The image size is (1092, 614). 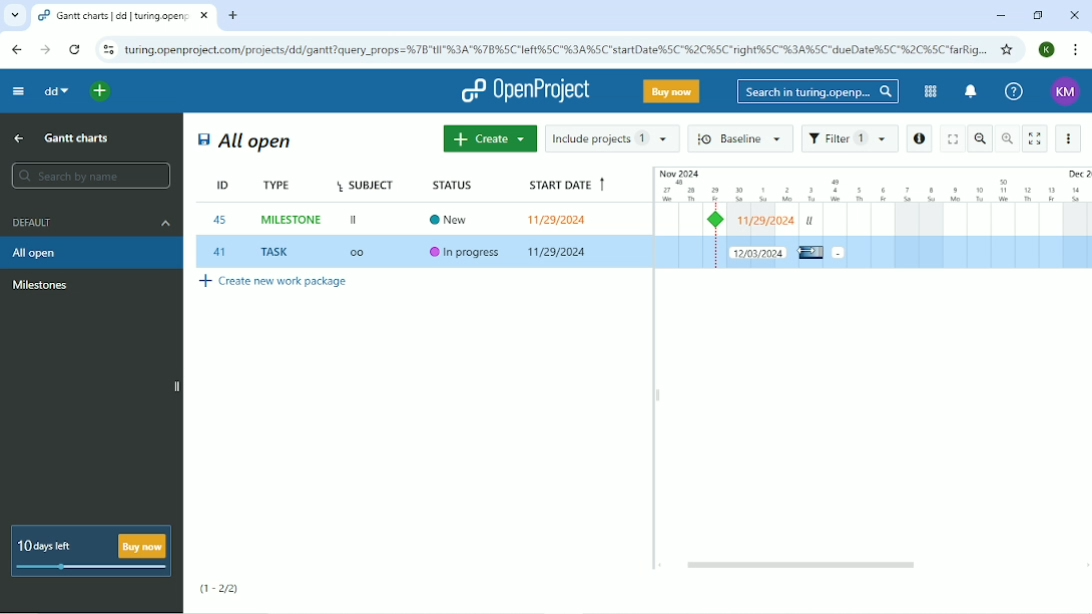 I want to click on 45, so click(x=221, y=220).